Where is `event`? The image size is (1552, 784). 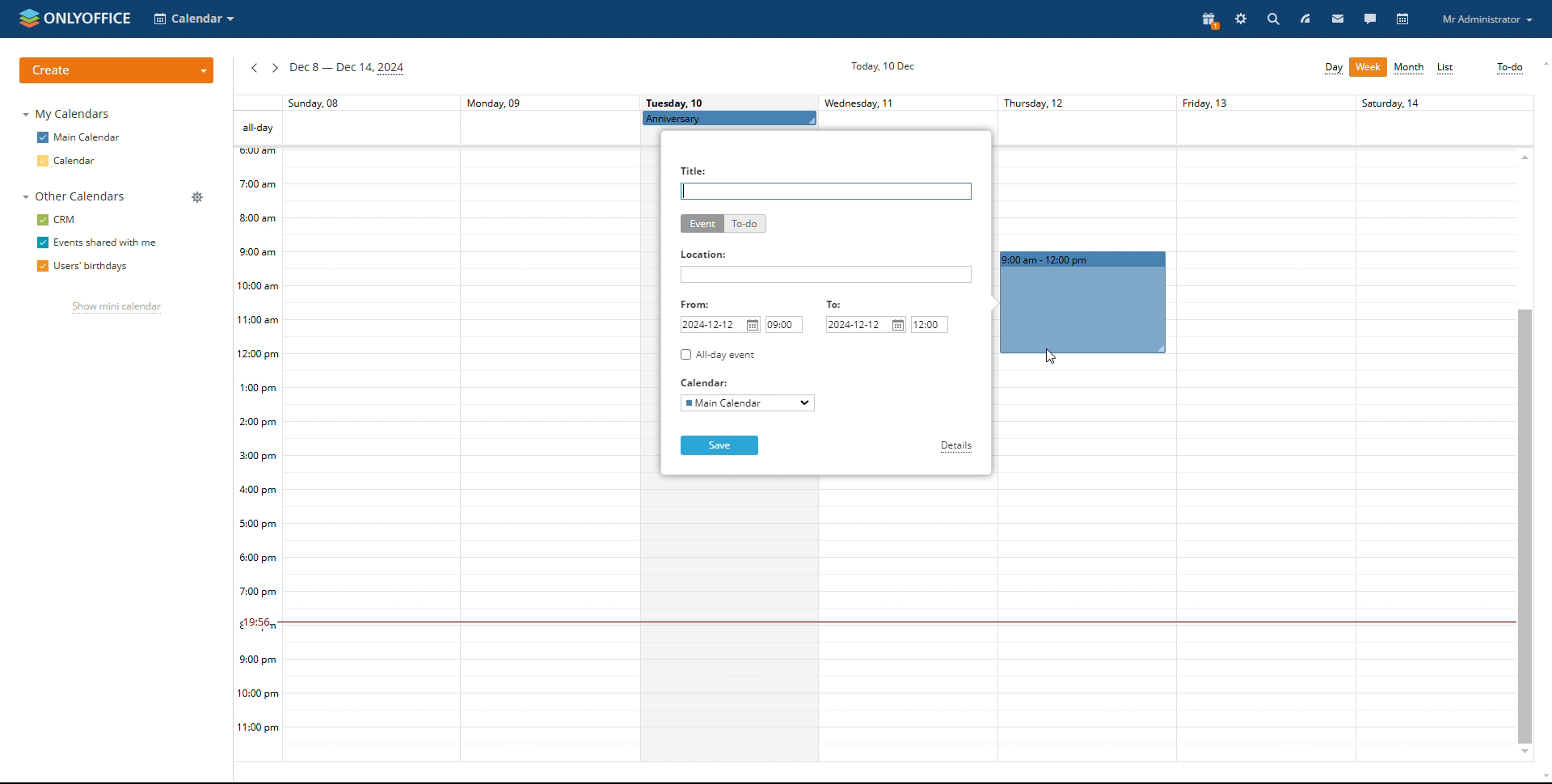
event is located at coordinates (702, 224).